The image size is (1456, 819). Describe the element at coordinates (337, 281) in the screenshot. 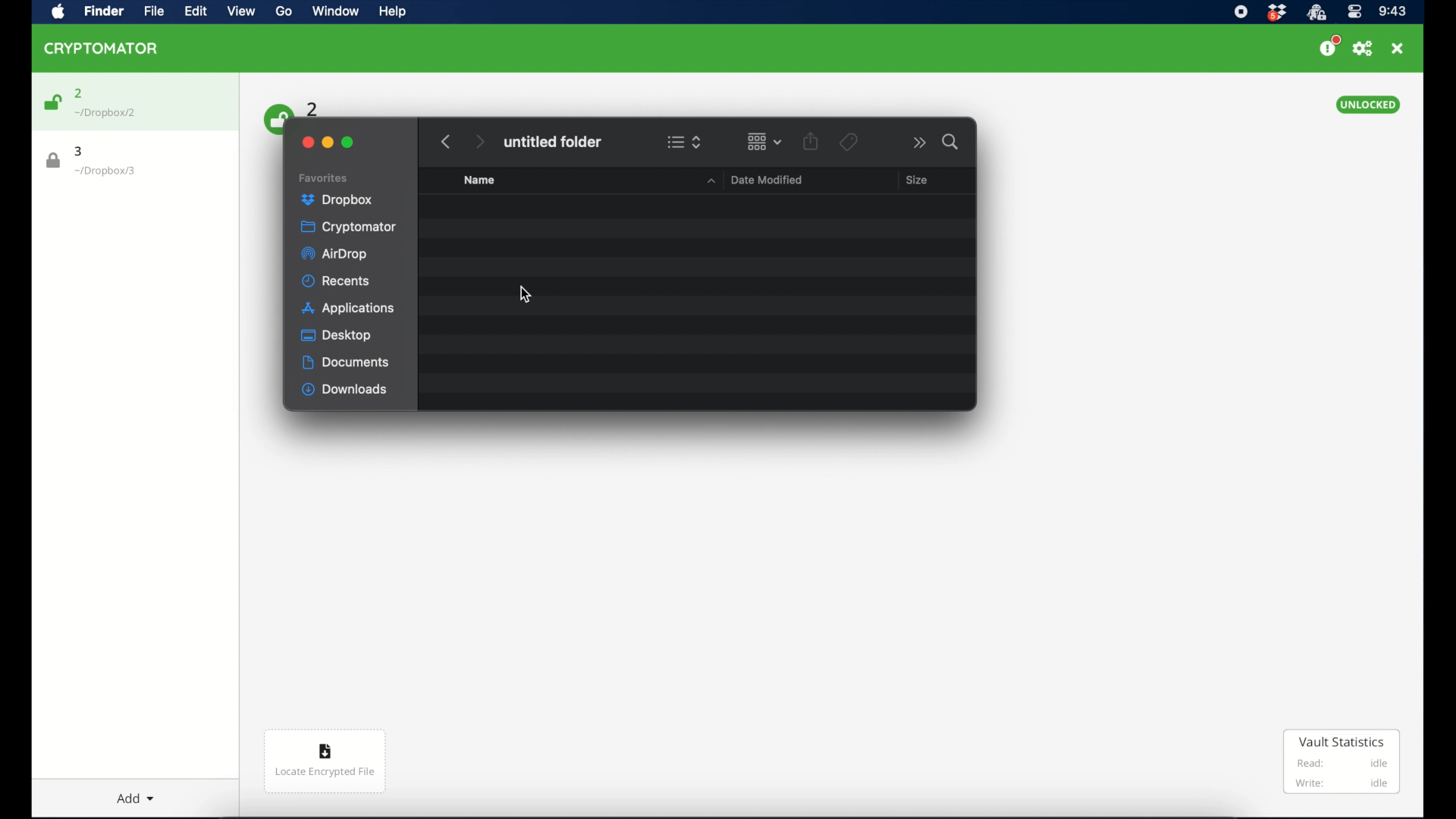

I see `recents` at that location.